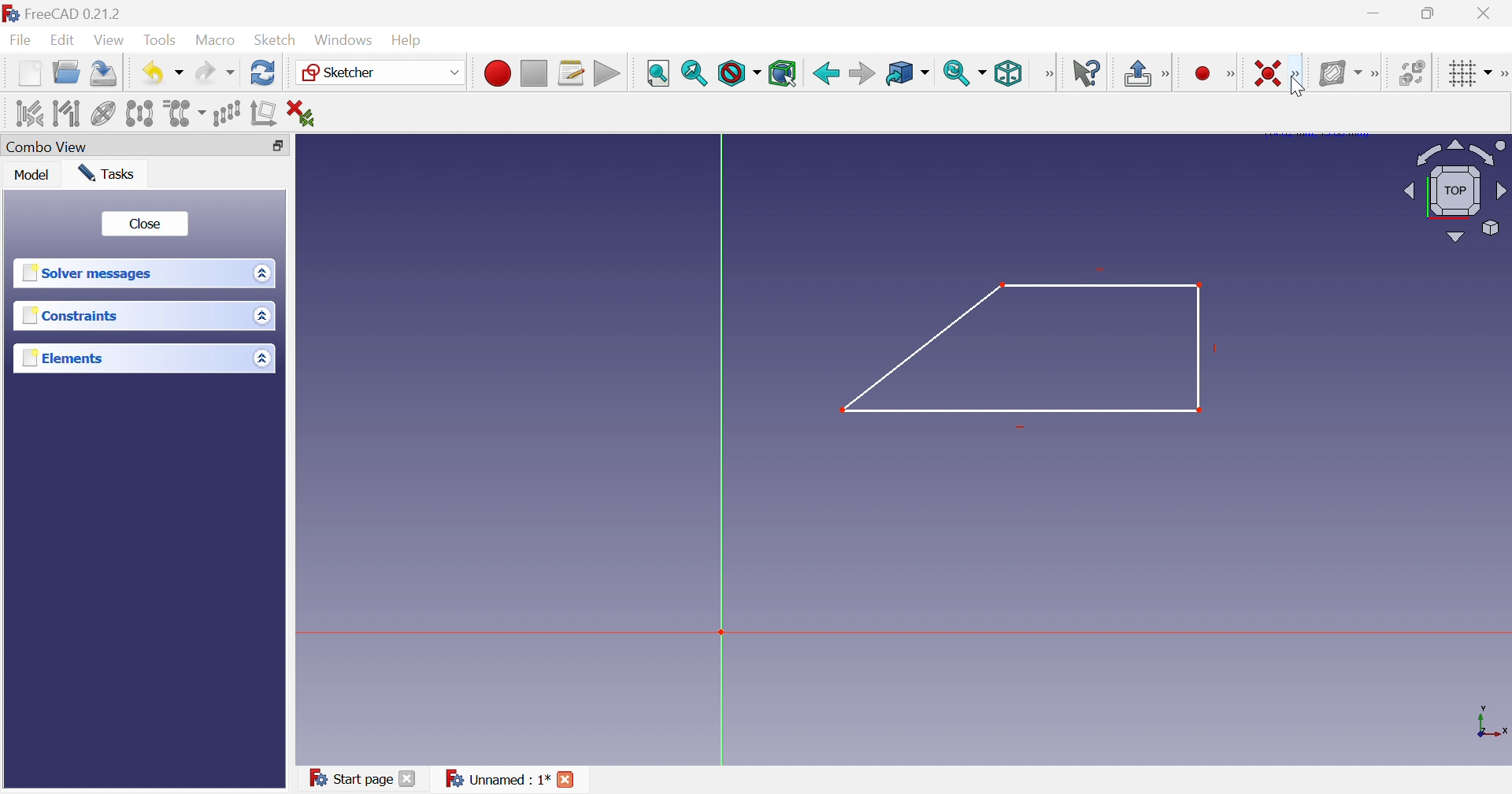  What do you see at coordinates (263, 317) in the screenshot?
I see `Drop Down` at bounding box center [263, 317].